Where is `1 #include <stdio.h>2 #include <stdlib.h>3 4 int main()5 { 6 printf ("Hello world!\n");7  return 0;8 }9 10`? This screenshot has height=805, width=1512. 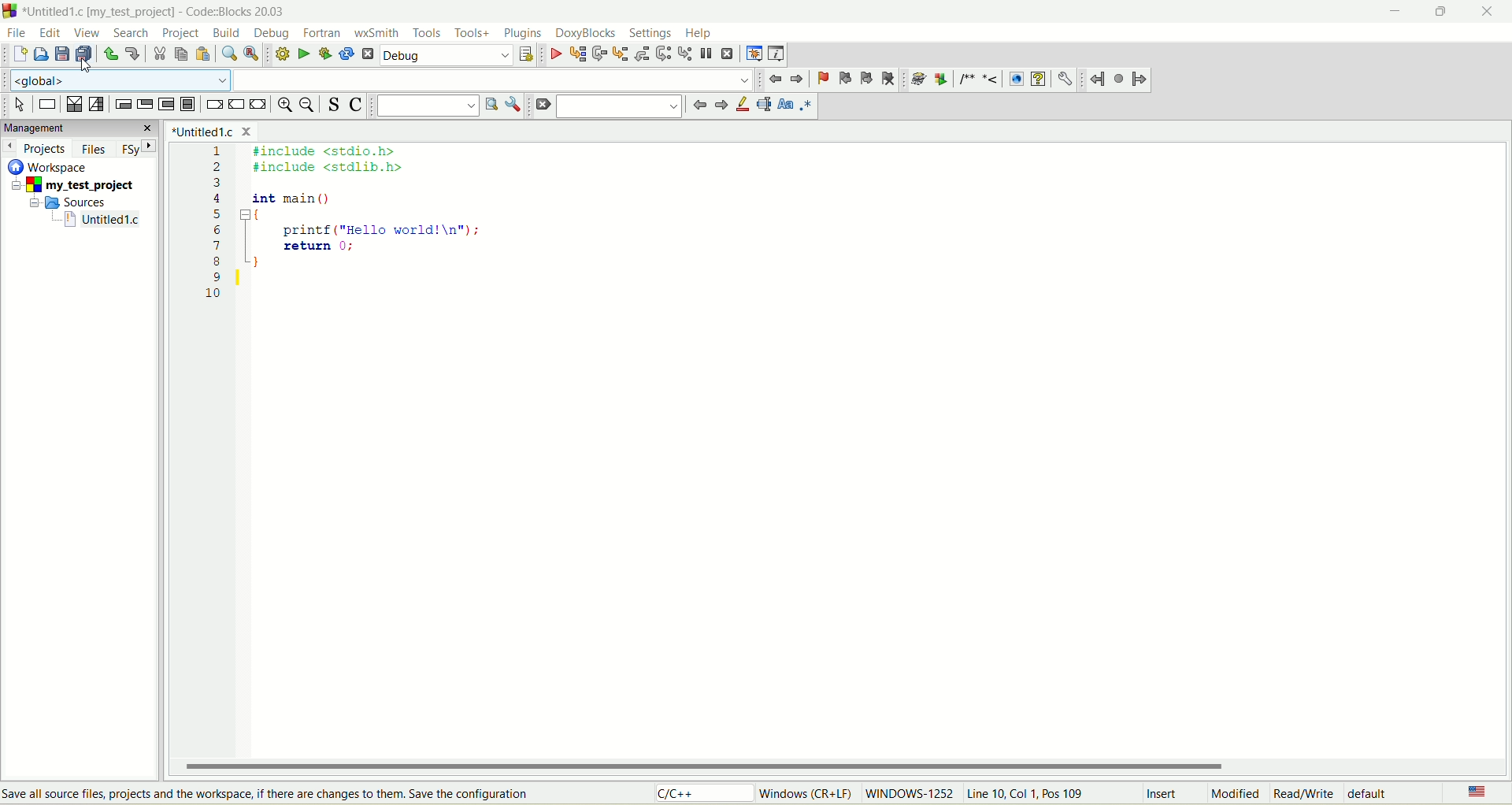
1 #include <stdio.h>2 #include <stdlib.h>3 4 int main()5 { 6 printf ("Hello world!\n");7  return 0;8 }9 10 is located at coordinates (362, 229).